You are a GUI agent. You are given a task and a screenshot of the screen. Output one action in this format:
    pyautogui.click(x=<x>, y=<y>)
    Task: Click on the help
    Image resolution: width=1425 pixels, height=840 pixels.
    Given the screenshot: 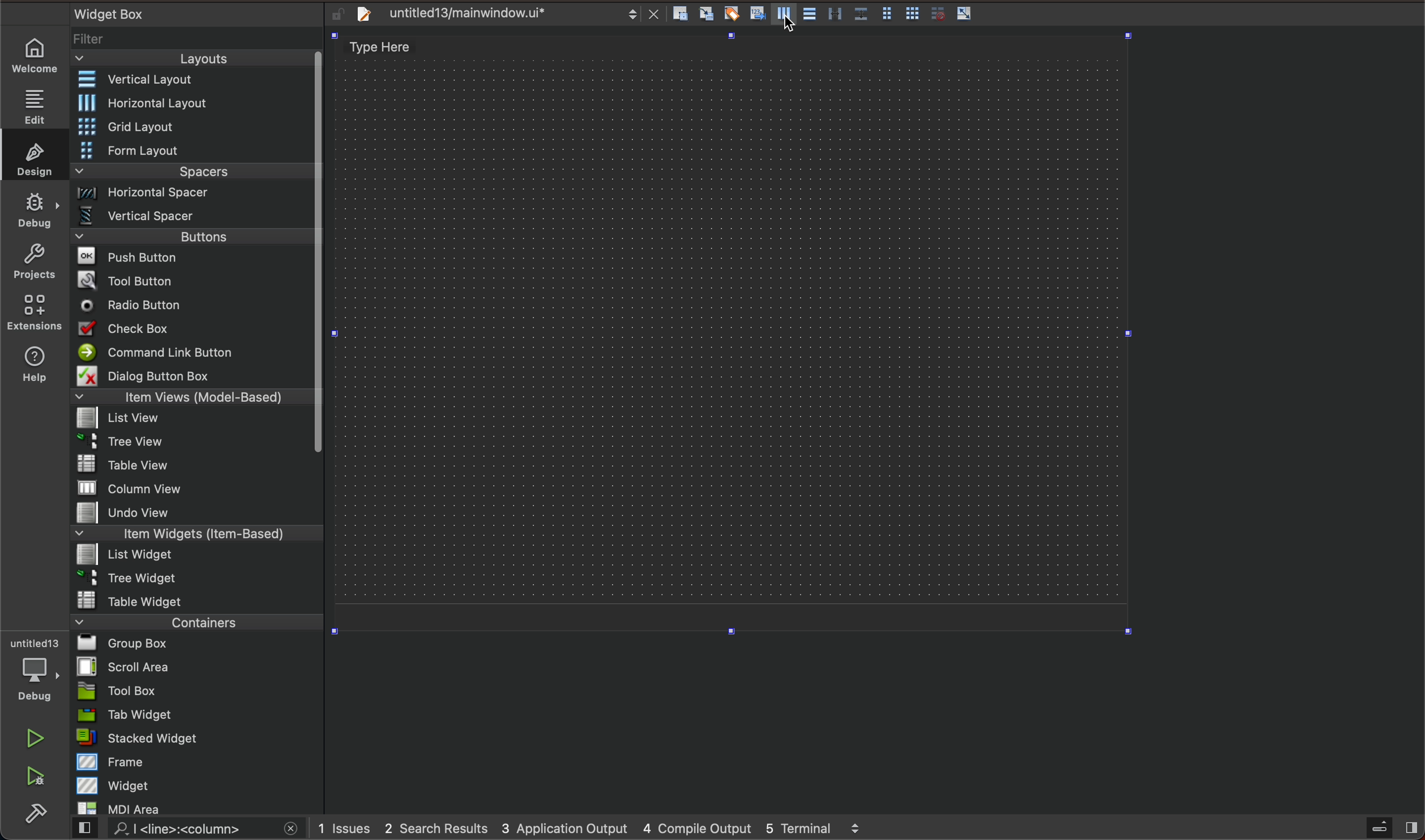 What is the action you would take?
    pyautogui.click(x=33, y=368)
    